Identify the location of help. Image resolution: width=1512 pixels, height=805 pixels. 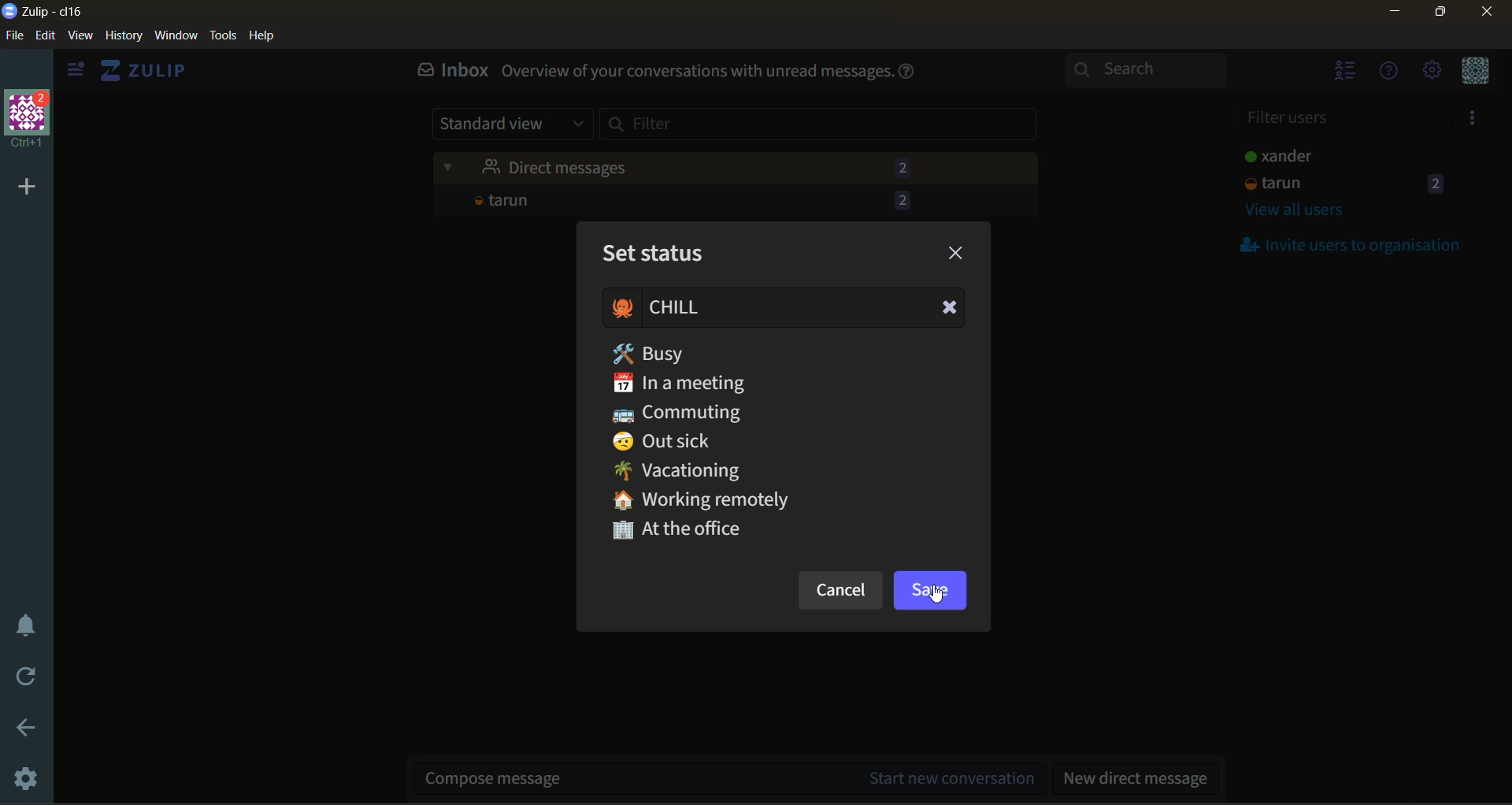
(263, 36).